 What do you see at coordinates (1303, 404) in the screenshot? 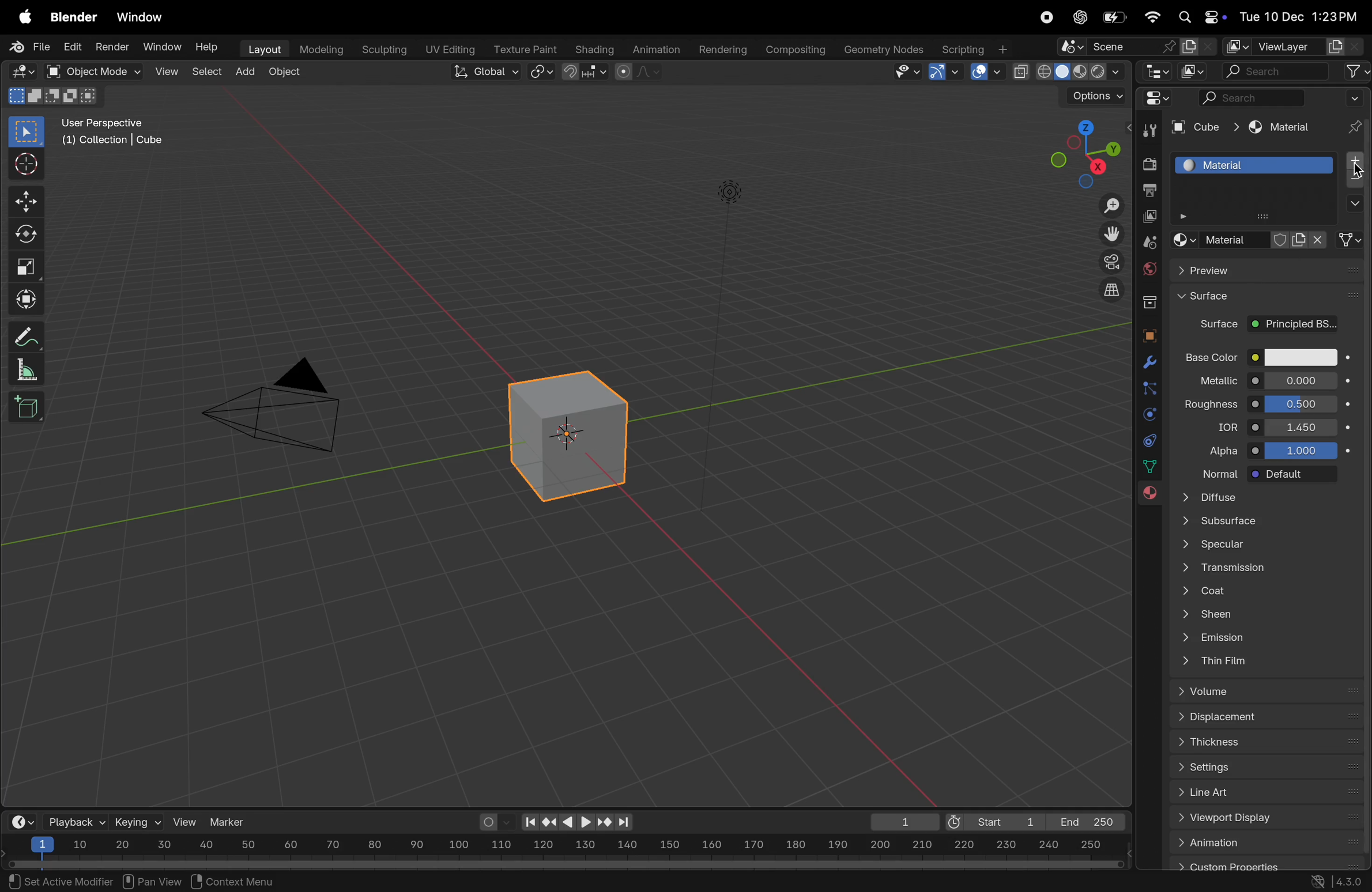
I see `0.000` at bounding box center [1303, 404].